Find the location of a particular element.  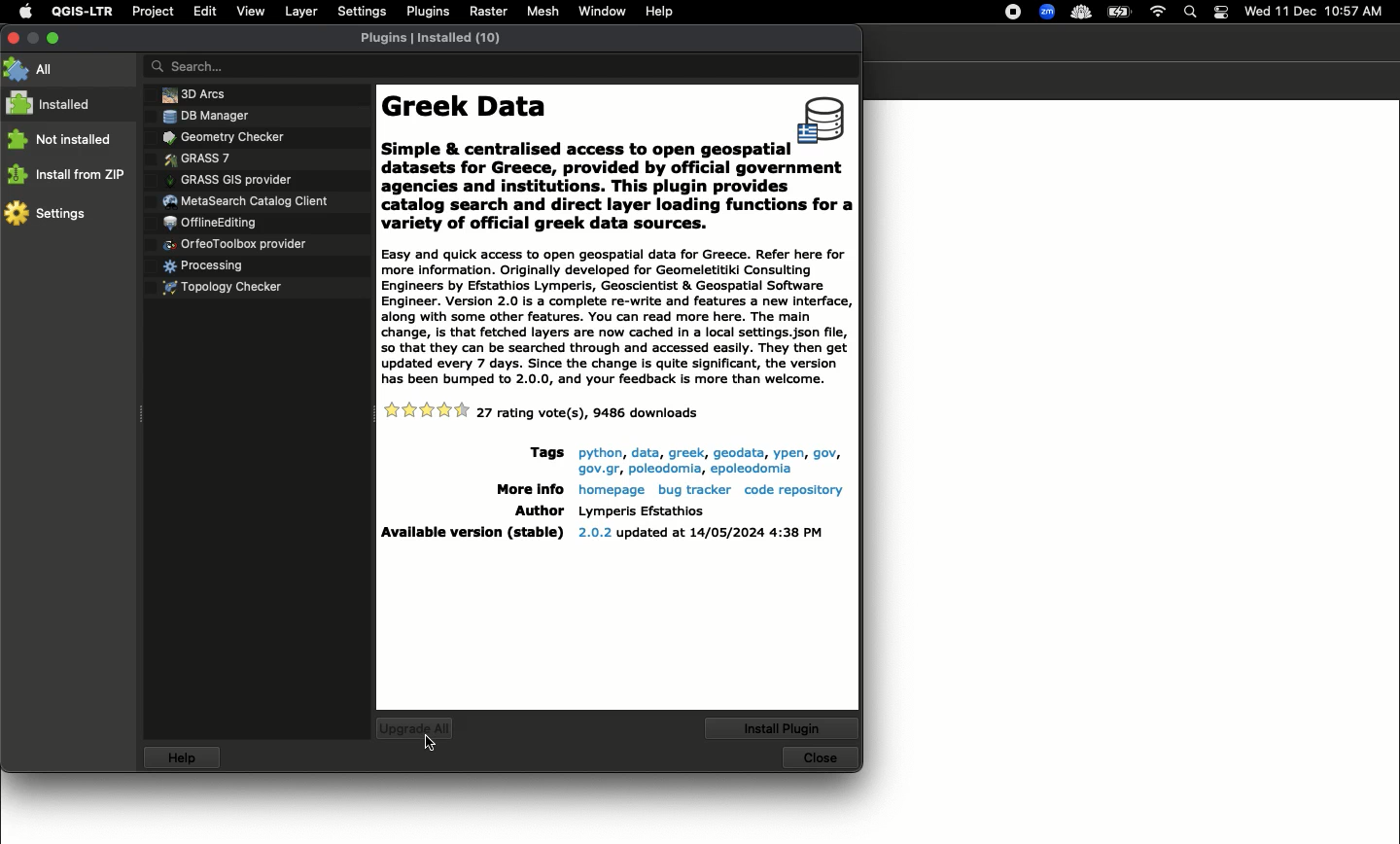

gov gr is located at coordinates (597, 469).